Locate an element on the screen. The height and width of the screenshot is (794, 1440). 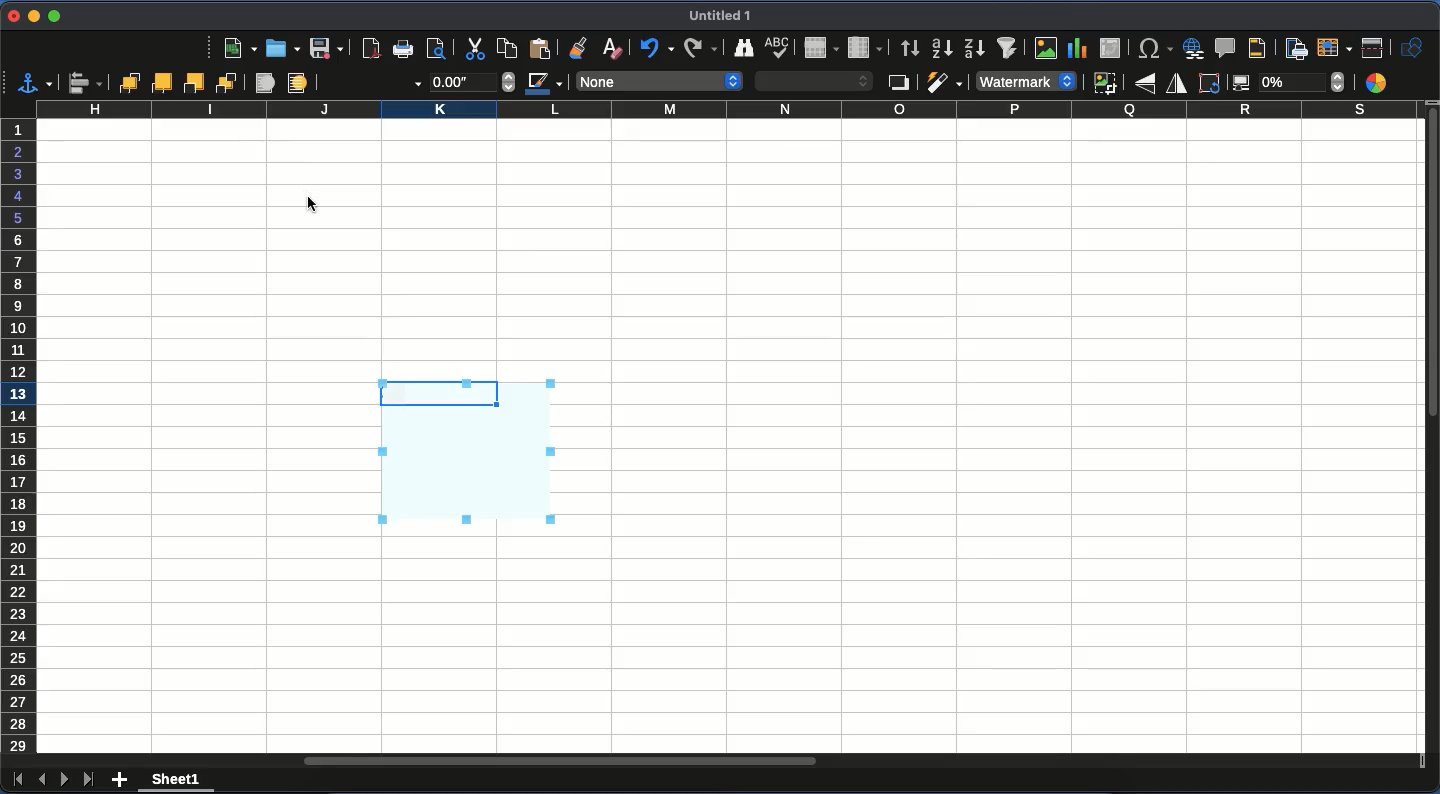
close is located at coordinates (11, 15).